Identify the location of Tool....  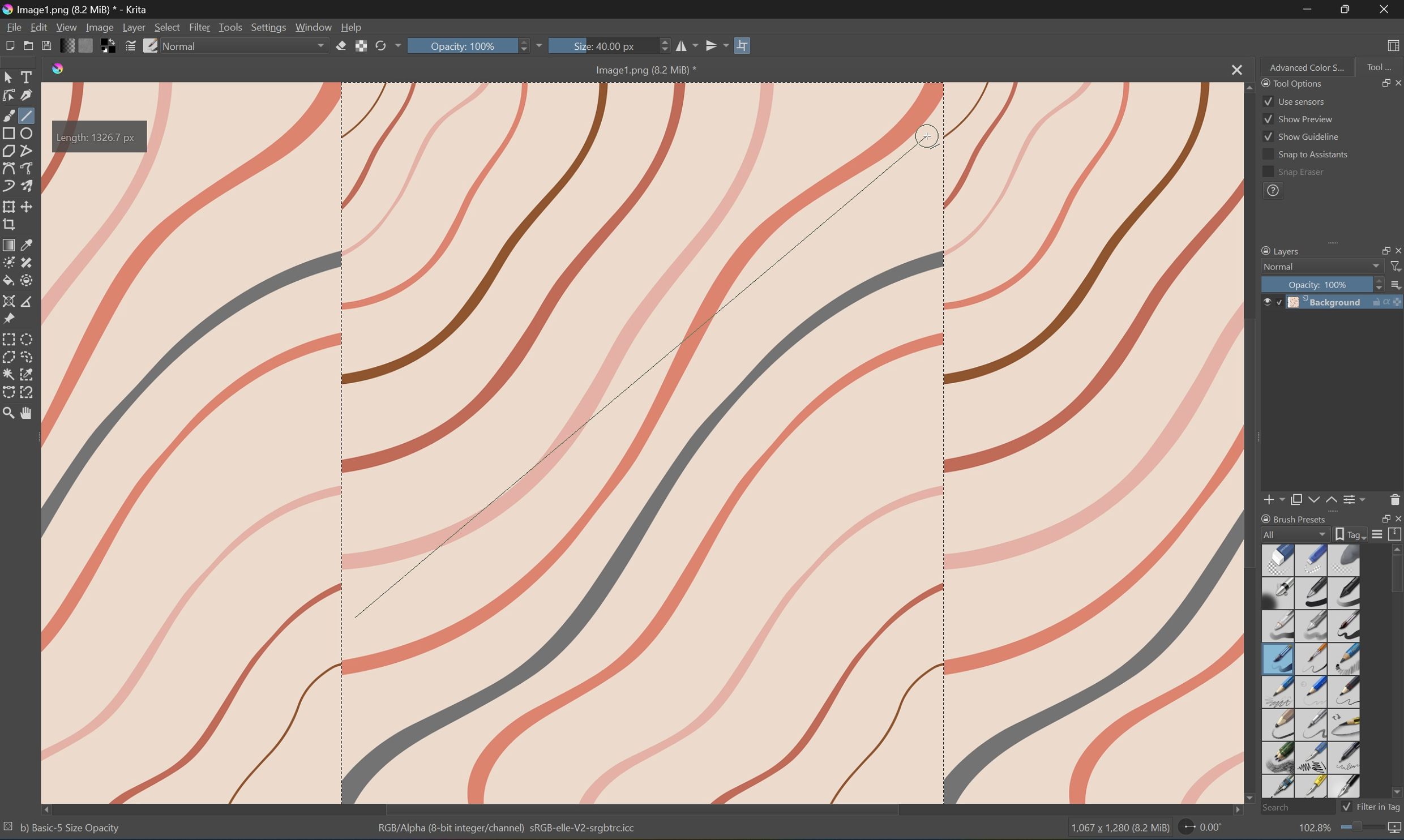
(1381, 66).